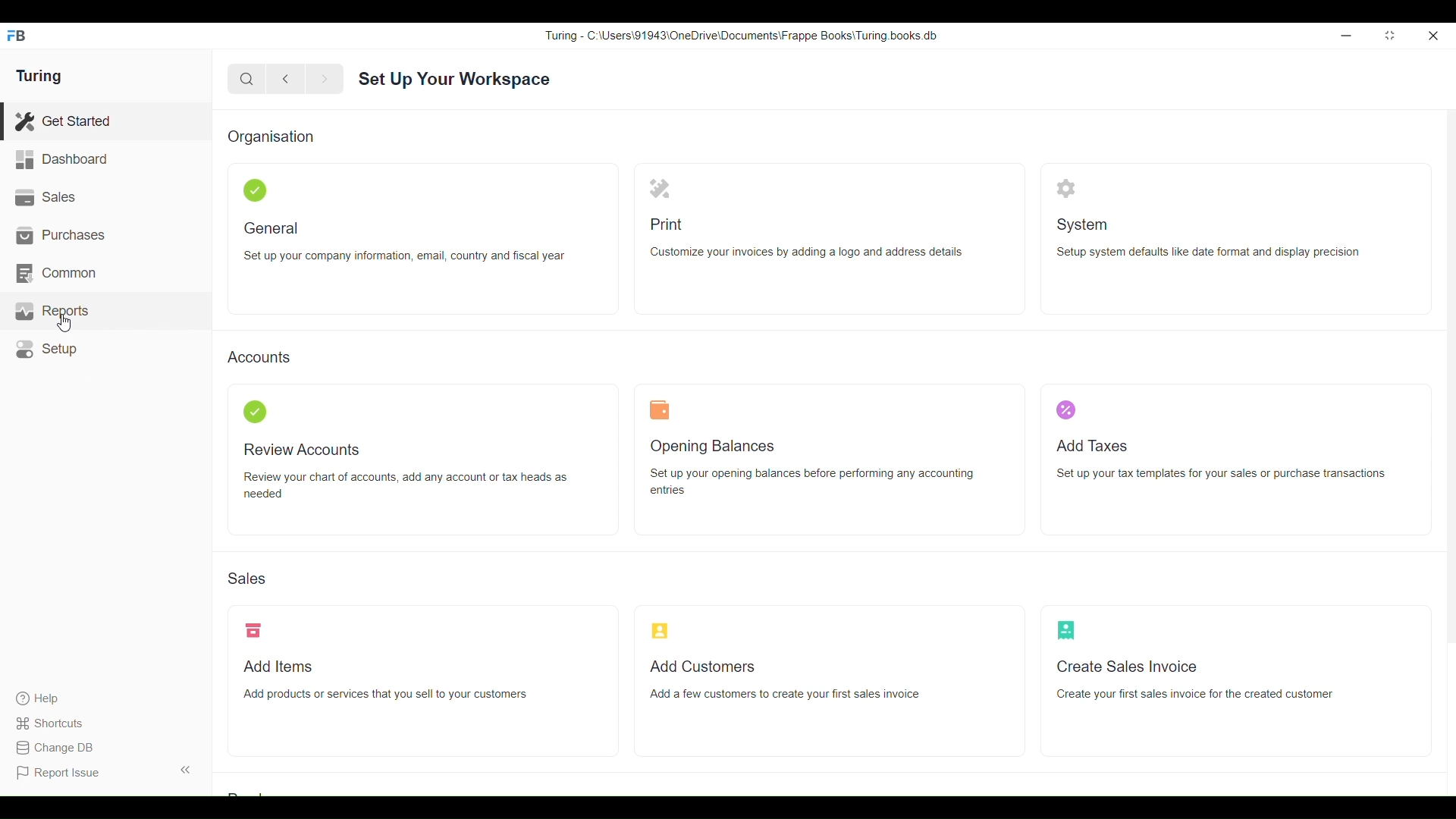  I want to click on Reports, so click(105, 312).